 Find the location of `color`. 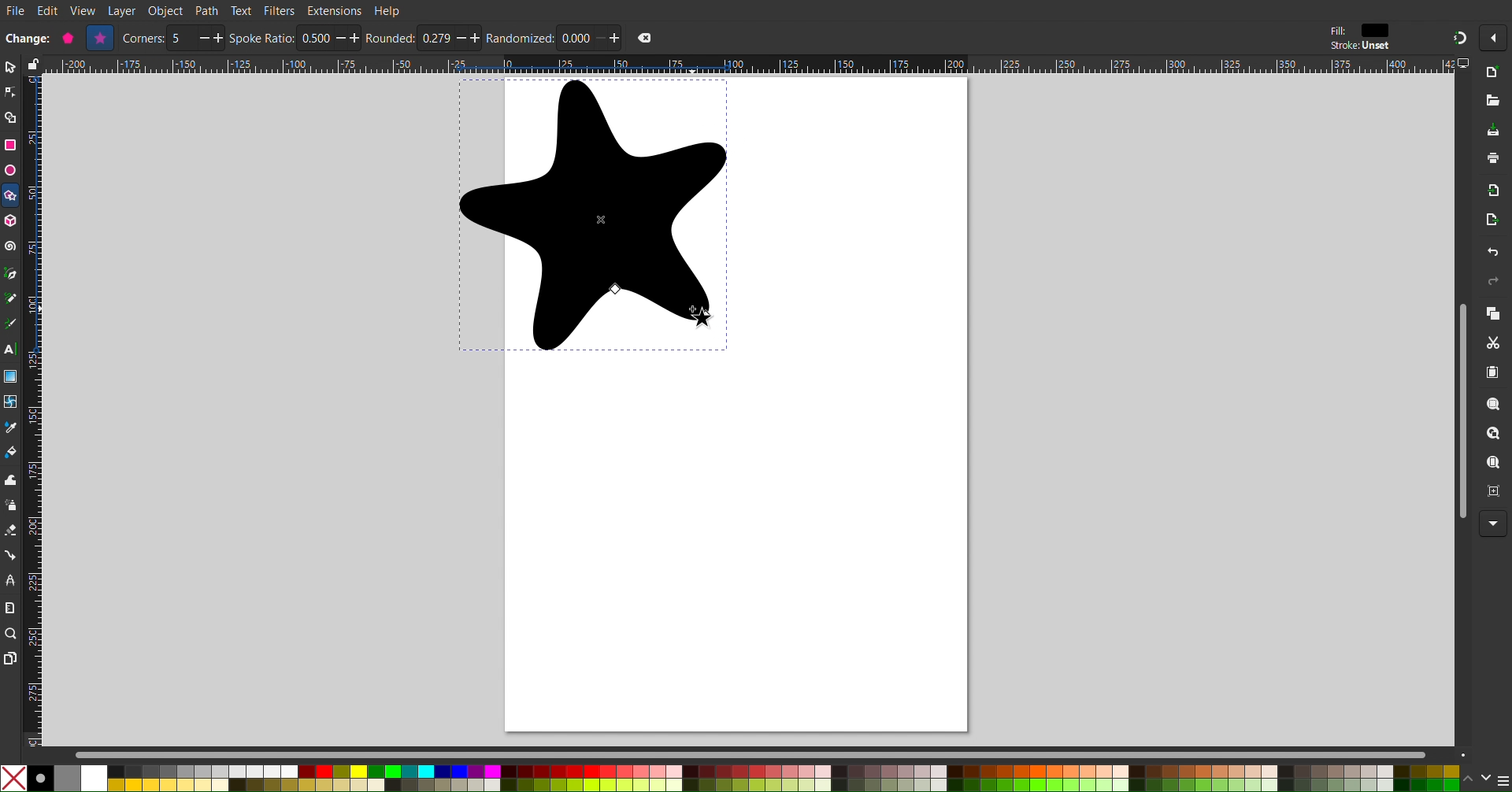

color is located at coordinates (1376, 30).